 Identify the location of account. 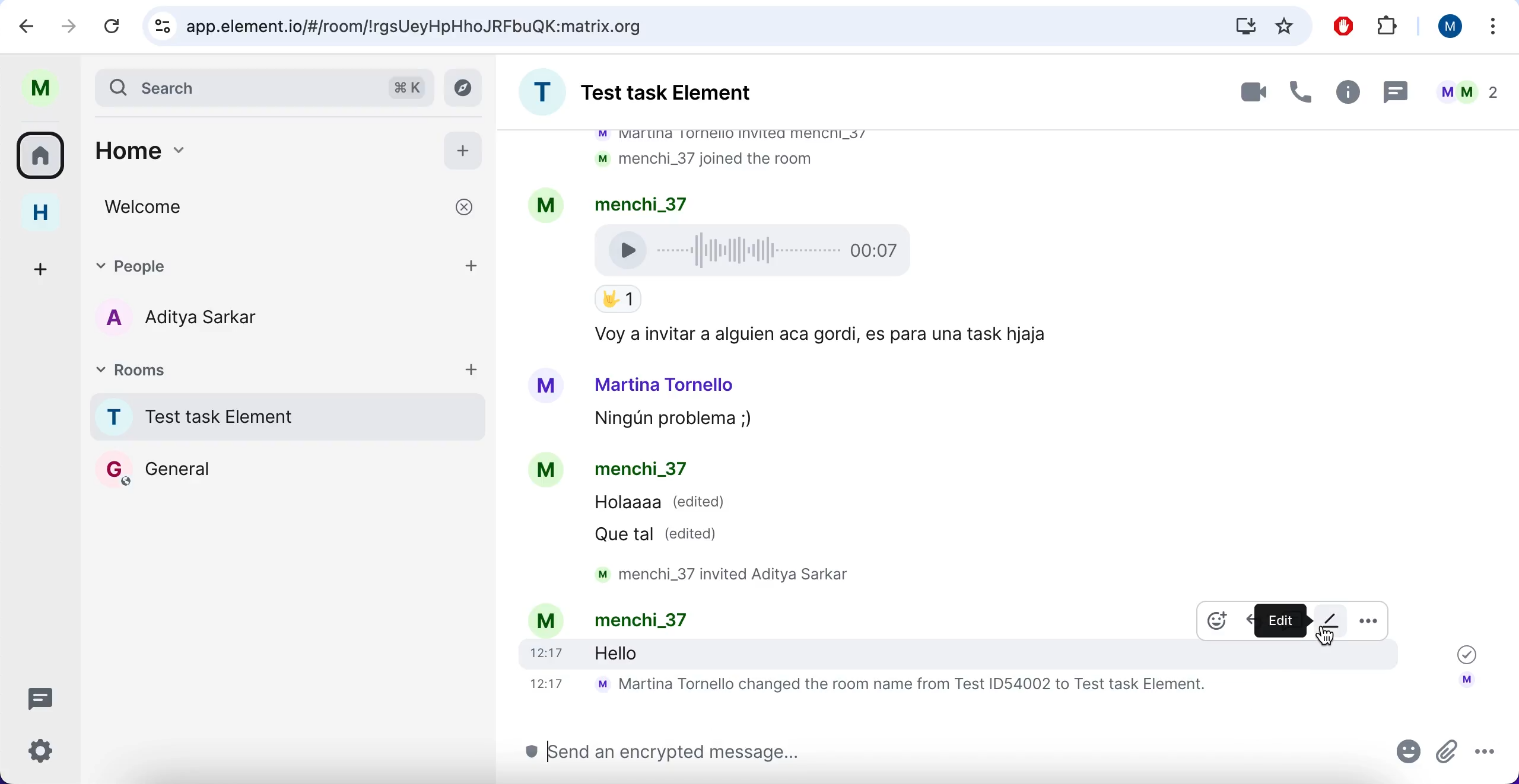
(1466, 684).